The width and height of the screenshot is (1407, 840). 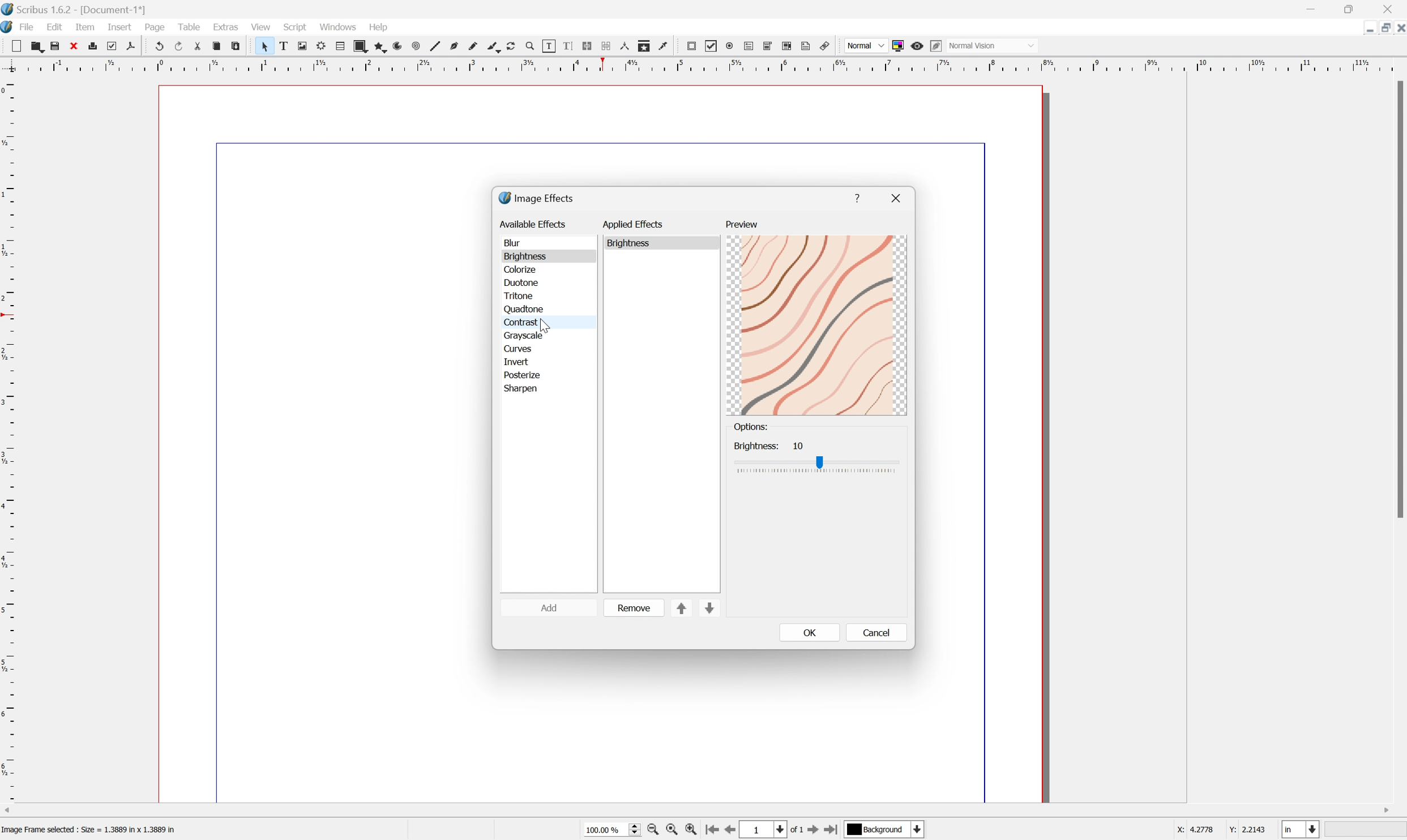 I want to click on Edit contents of frame, so click(x=551, y=47).